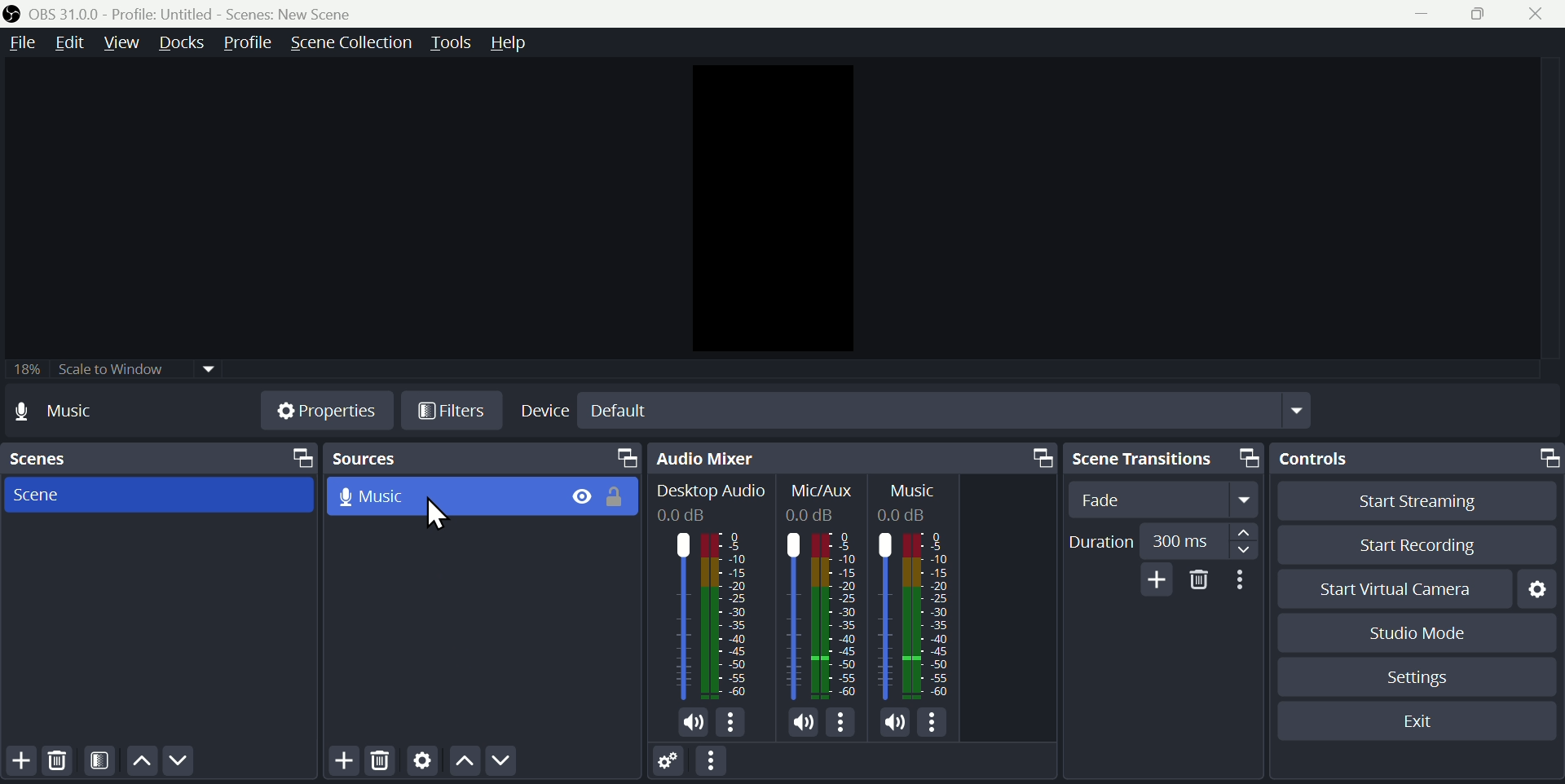  Describe the element at coordinates (1417, 540) in the screenshot. I see `Start recording` at that location.